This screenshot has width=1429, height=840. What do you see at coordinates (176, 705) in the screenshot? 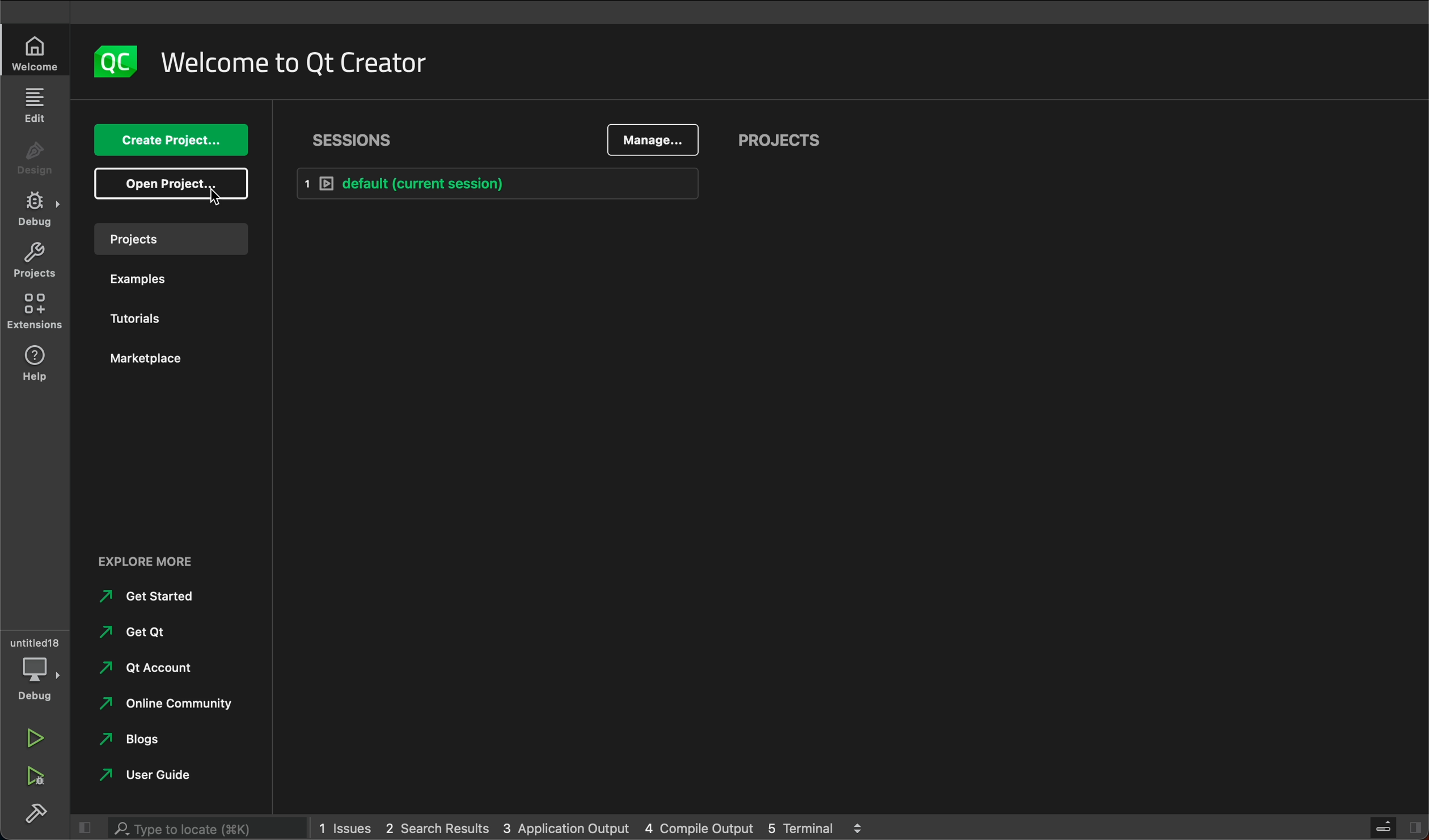
I see `online community` at bounding box center [176, 705].